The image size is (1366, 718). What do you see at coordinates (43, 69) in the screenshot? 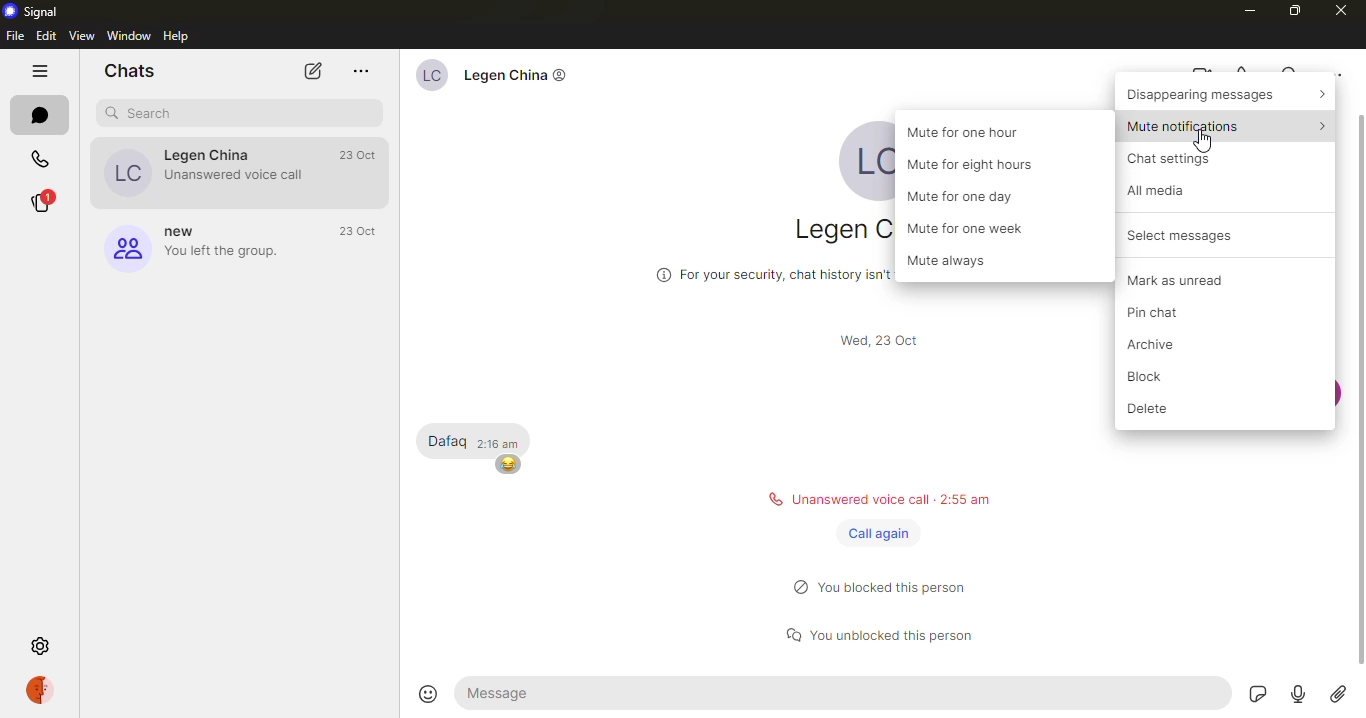
I see `hide tabs` at bounding box center [43, 69].